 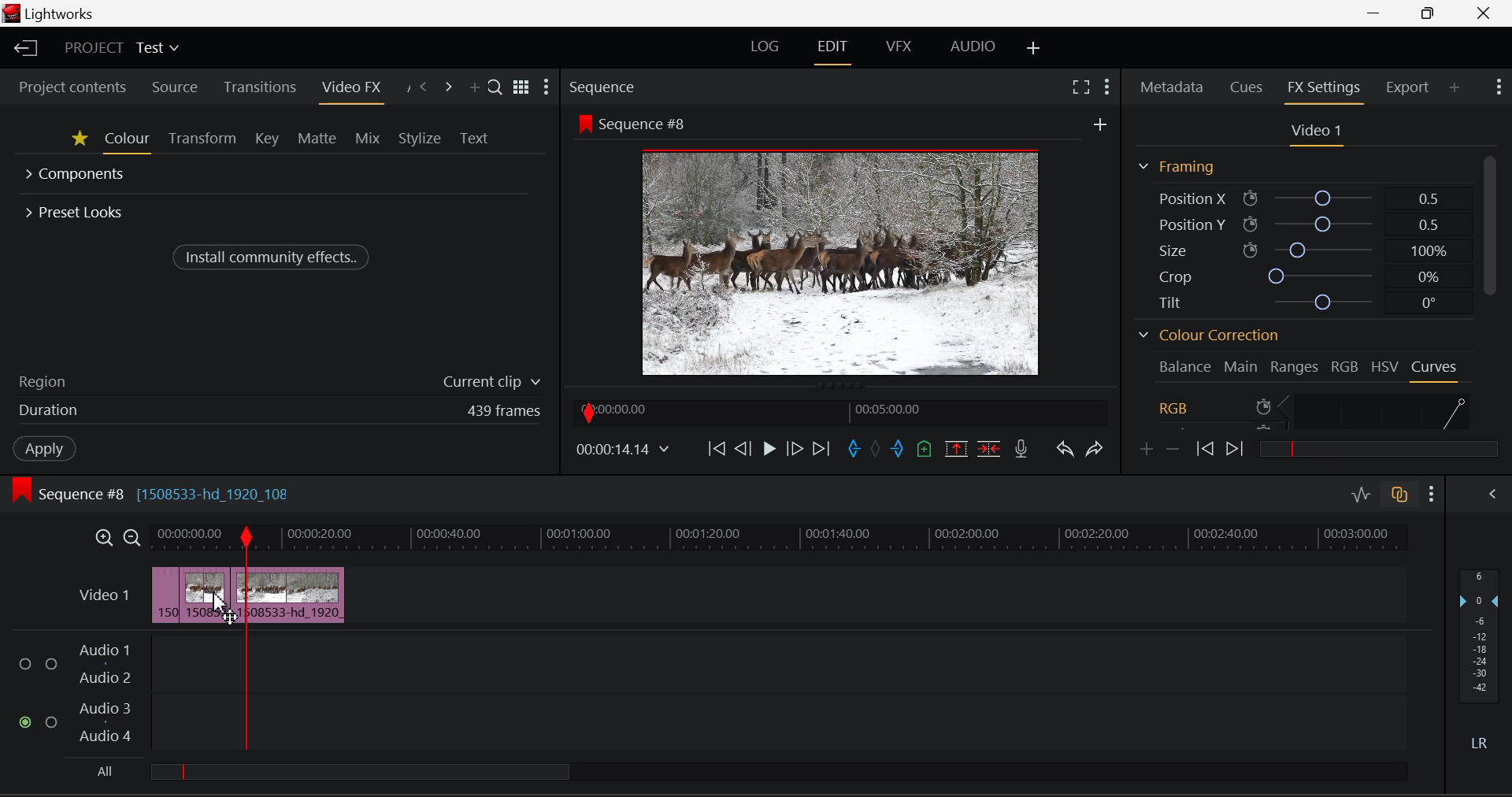 What do you see at coordinates (1173, 450) in the screenshot?
I see `Remove keyframe` at bounding box center [1173, 450].